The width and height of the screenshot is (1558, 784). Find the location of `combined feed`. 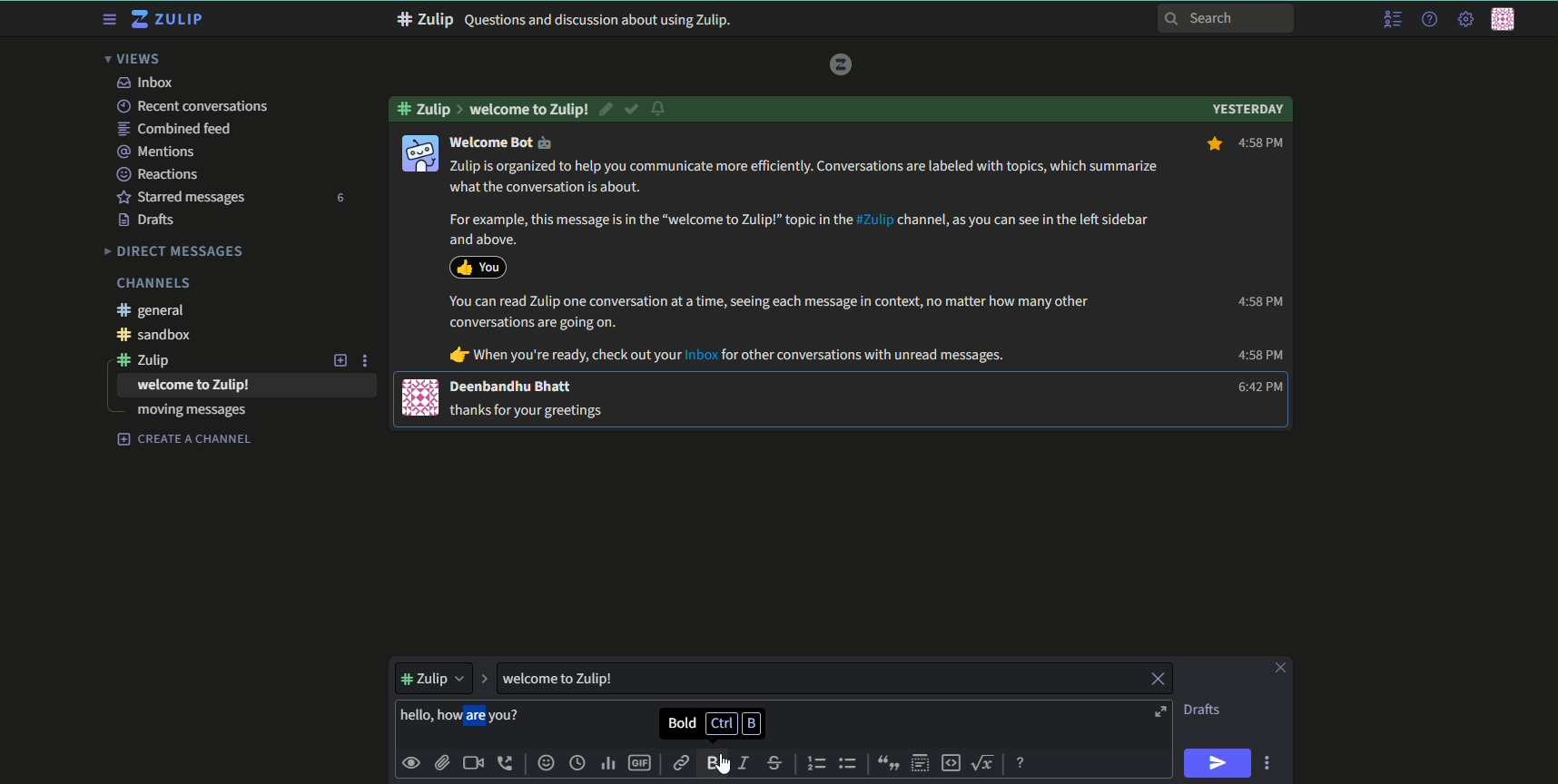

combined feed is located at coordinates (177, 129).